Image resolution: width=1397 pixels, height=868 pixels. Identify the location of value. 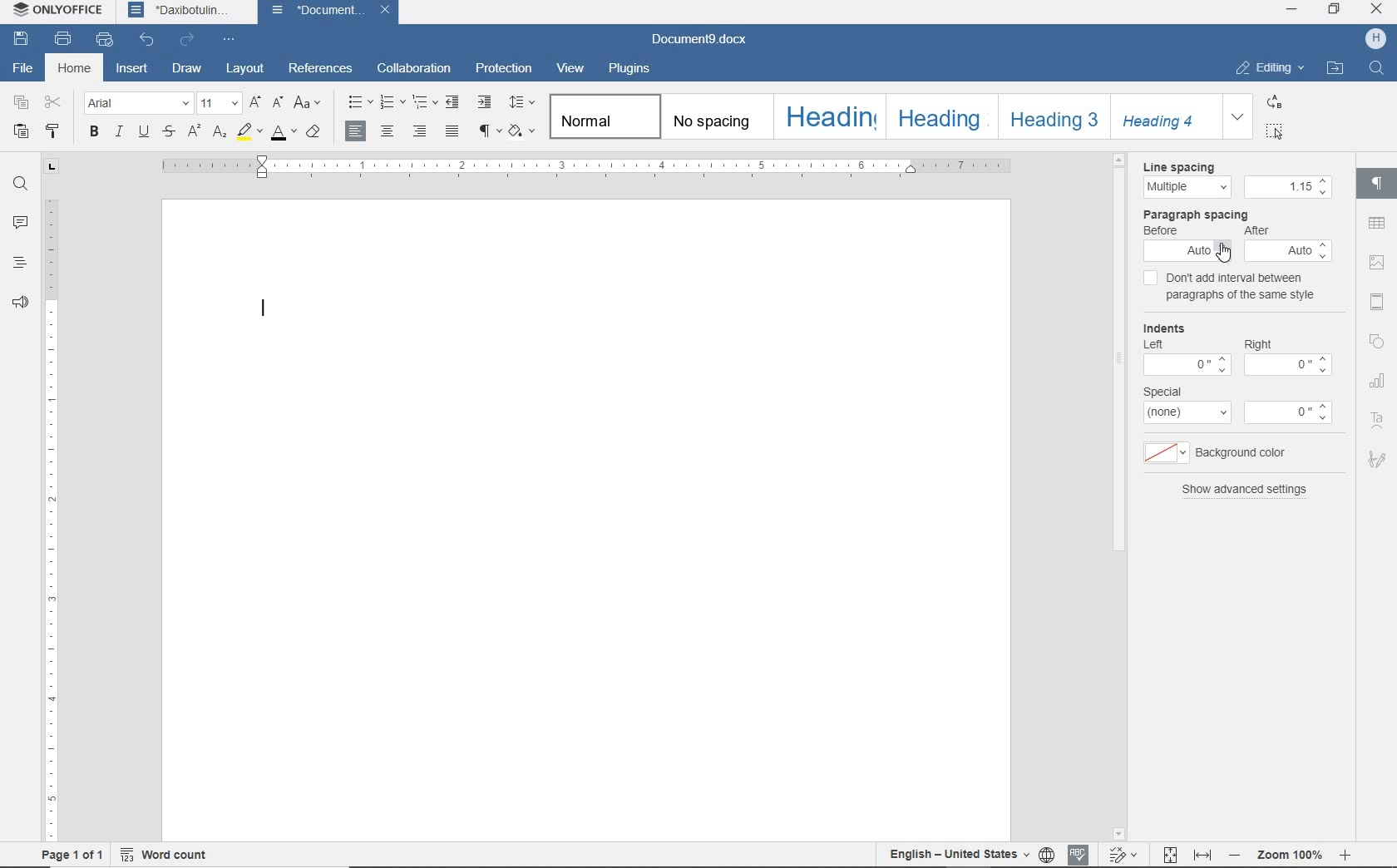
(1288, 413).